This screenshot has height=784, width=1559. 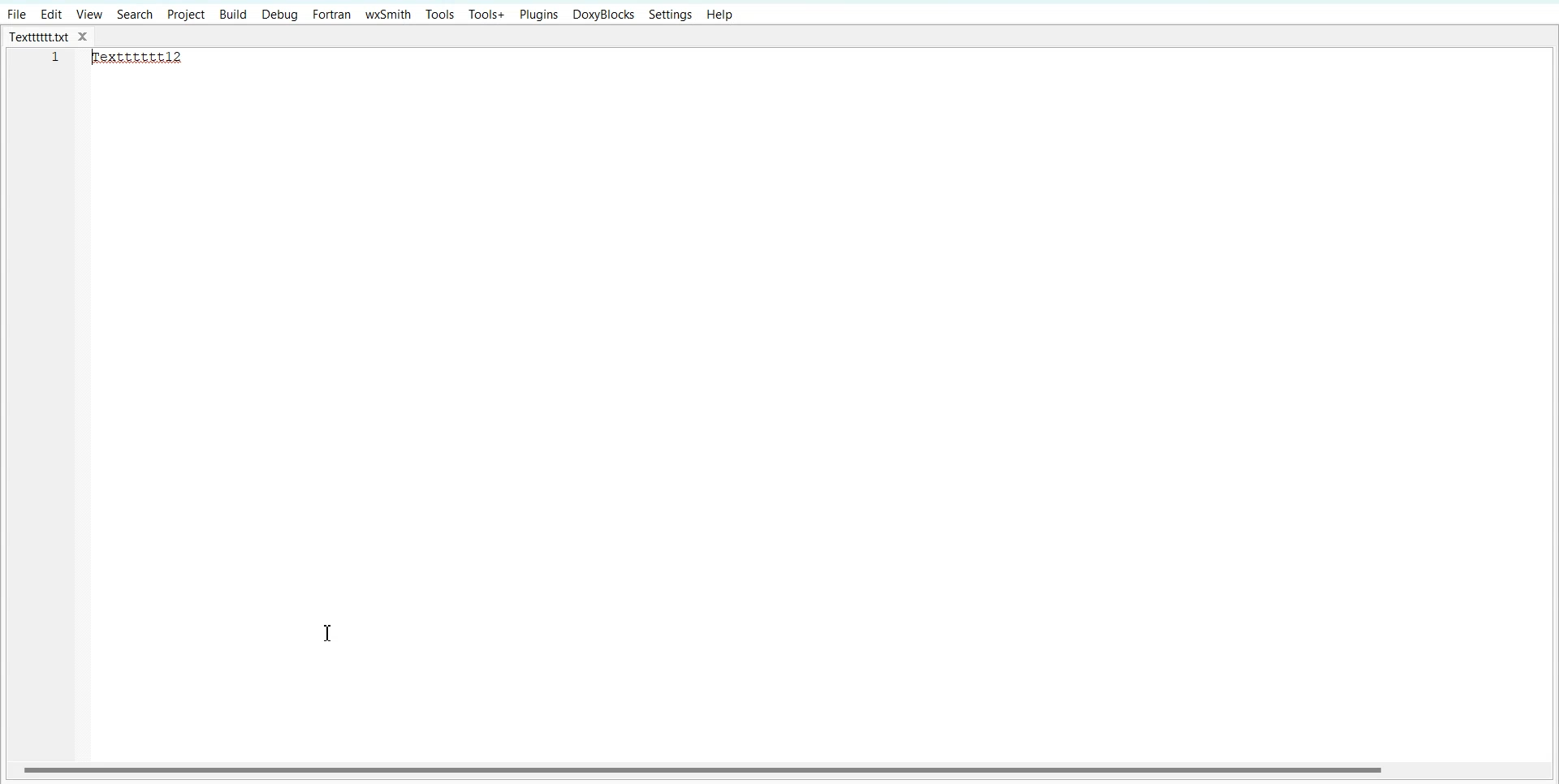 What do you see at coordinates (57, 62) in the screenshot?
I see `Line number` at bounding box center [57, 62].